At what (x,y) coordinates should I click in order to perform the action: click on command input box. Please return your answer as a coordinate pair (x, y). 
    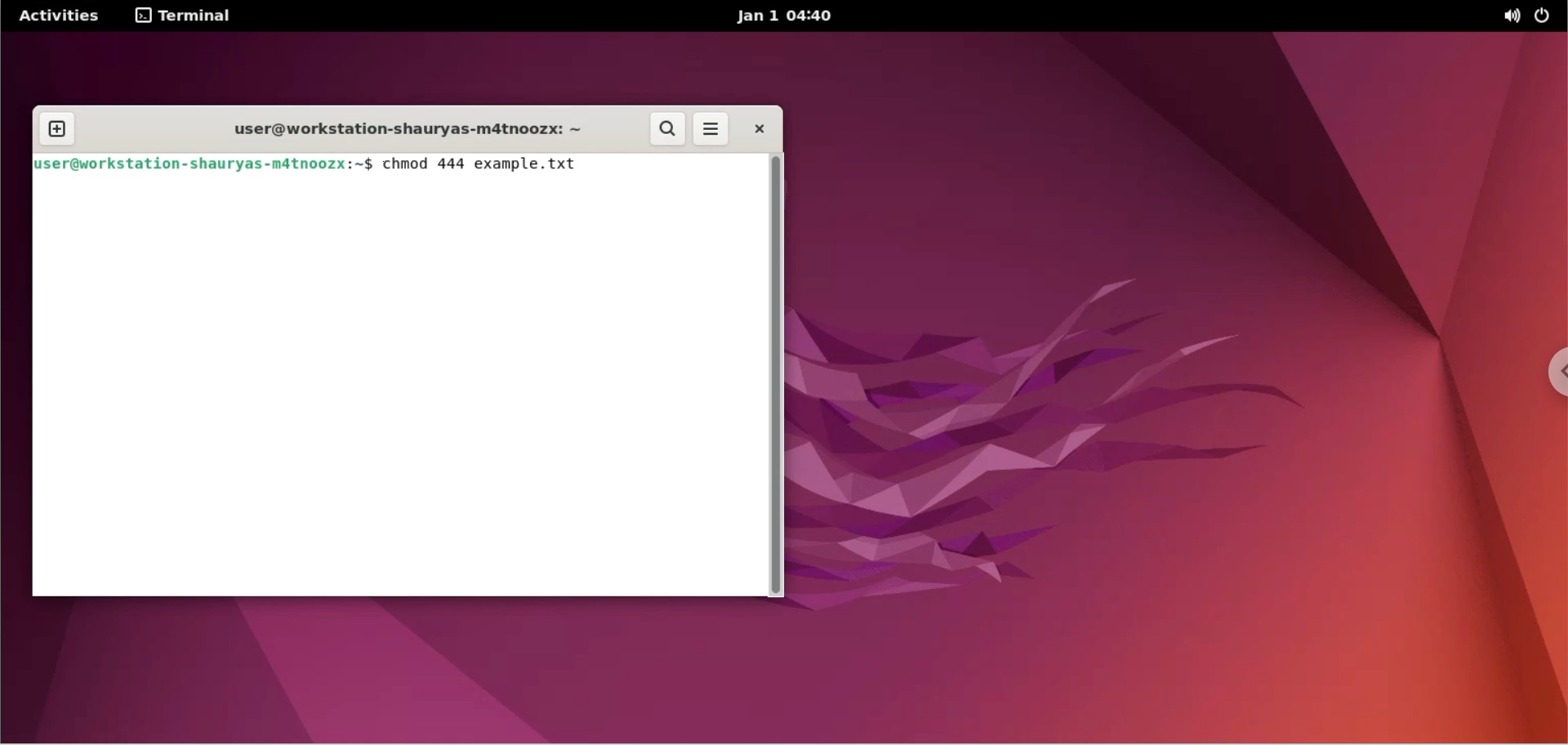
    Looking at the image, I should click on (403, 391).